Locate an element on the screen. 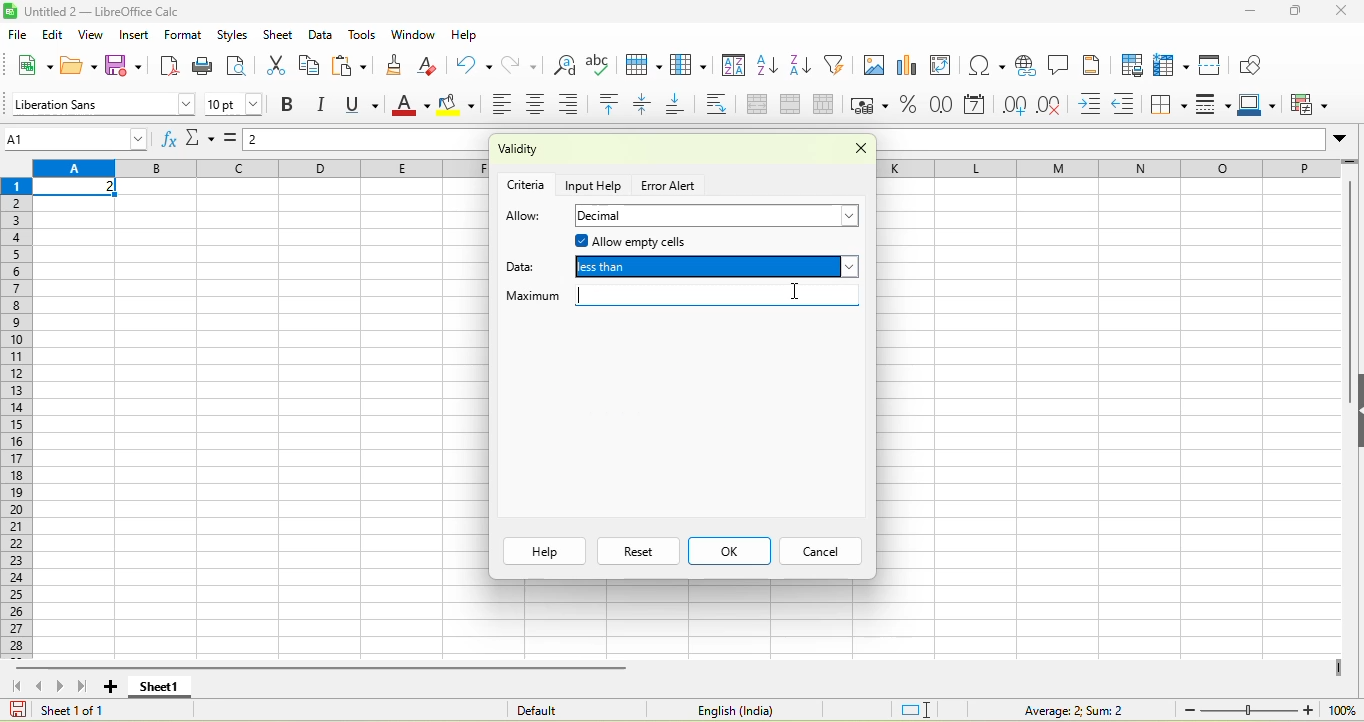 The height and width of the screenshot is (722, 1364). image is located at coordinates (873, 67).